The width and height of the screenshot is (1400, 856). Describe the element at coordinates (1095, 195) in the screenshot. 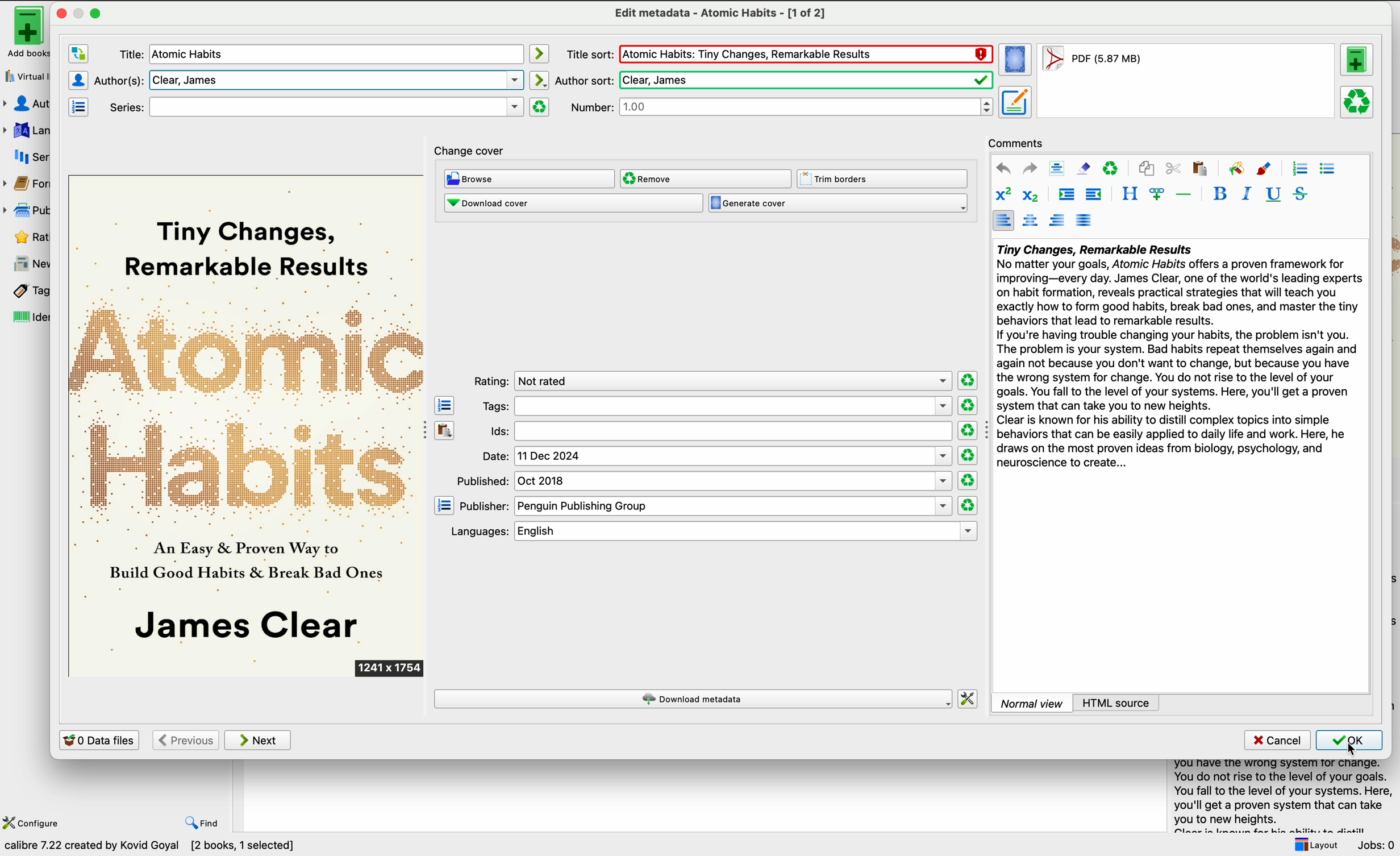

I see `decrease indentation` at that location.